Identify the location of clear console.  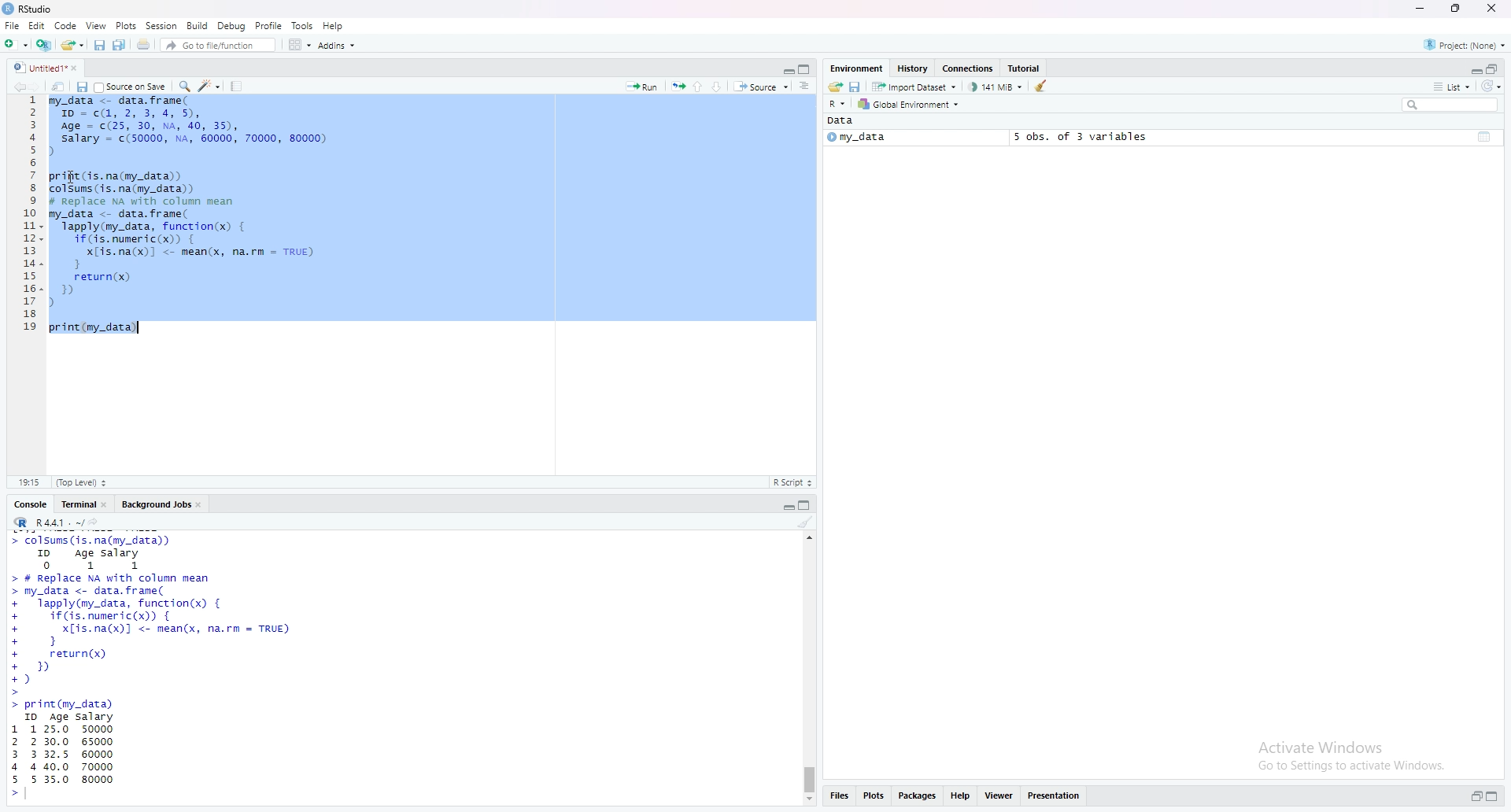
(807, 523).